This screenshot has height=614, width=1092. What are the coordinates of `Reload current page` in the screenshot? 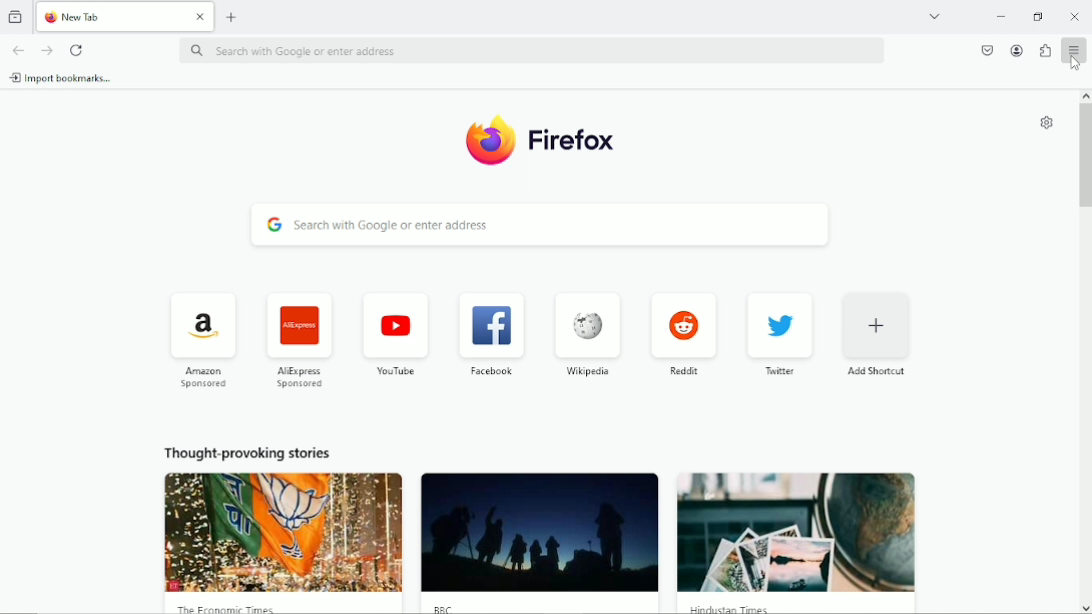 It's located at (77, 49).